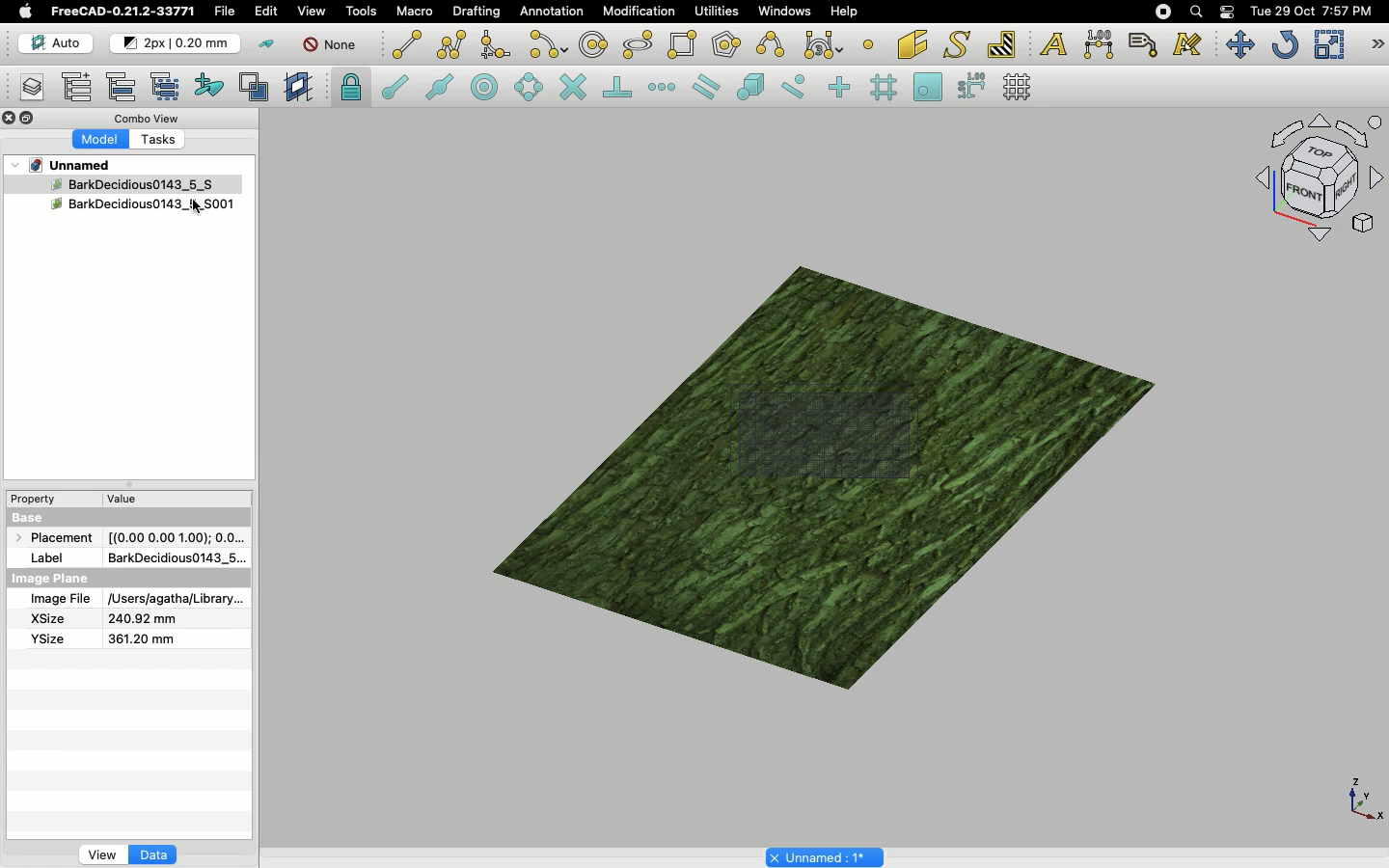 The image size is (1389, 868). What do you see at coordinates (789, 14) in the screenshot?
I see `Windows` at bounding box center [789, 14].